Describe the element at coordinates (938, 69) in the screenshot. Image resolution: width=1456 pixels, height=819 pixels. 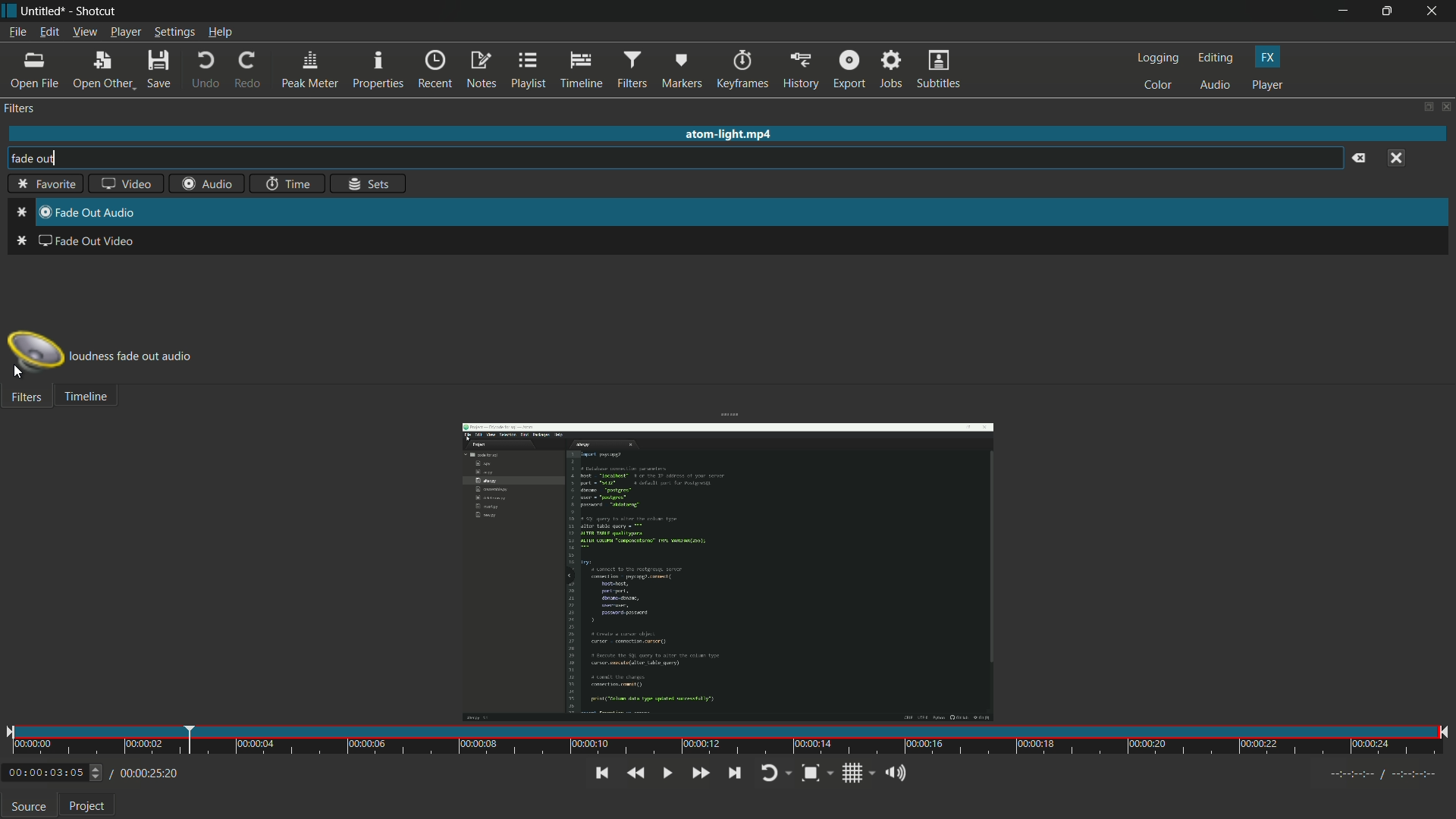
I see `subtitles` at that location.